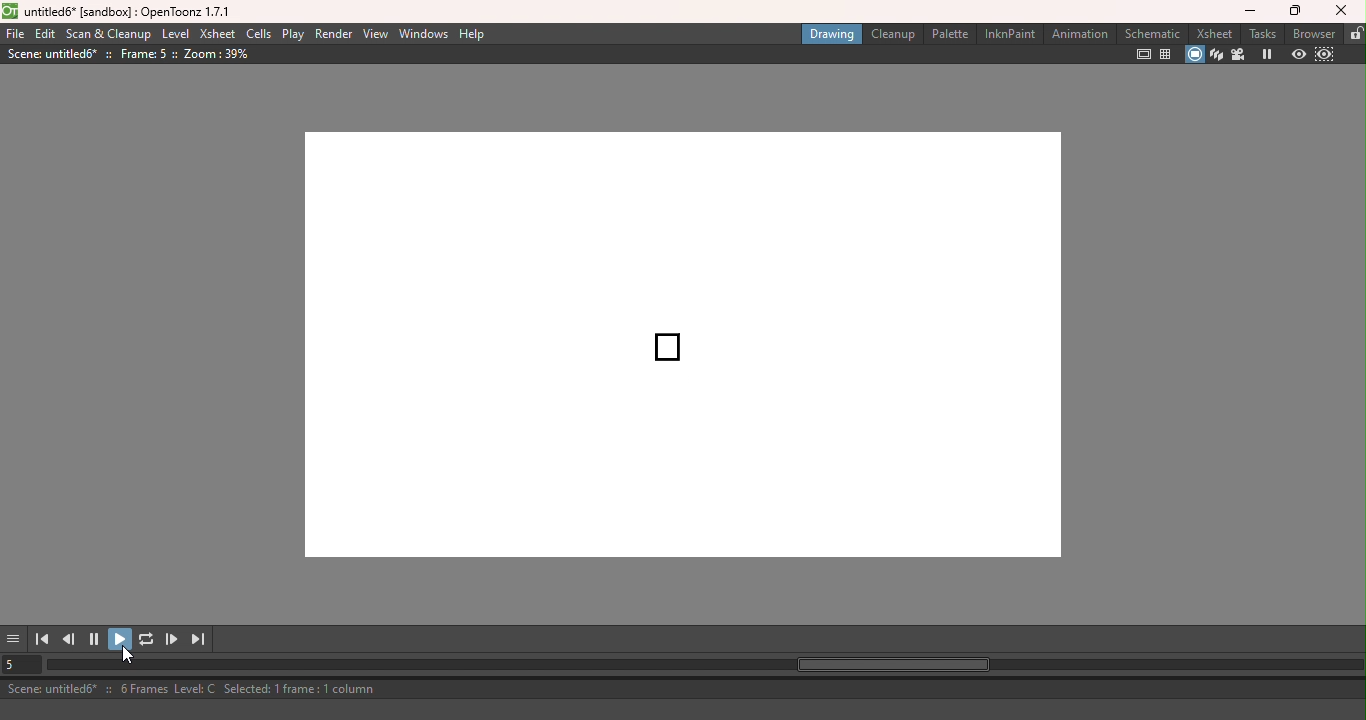  I want to click on Xsheet, so click(1214, 34).